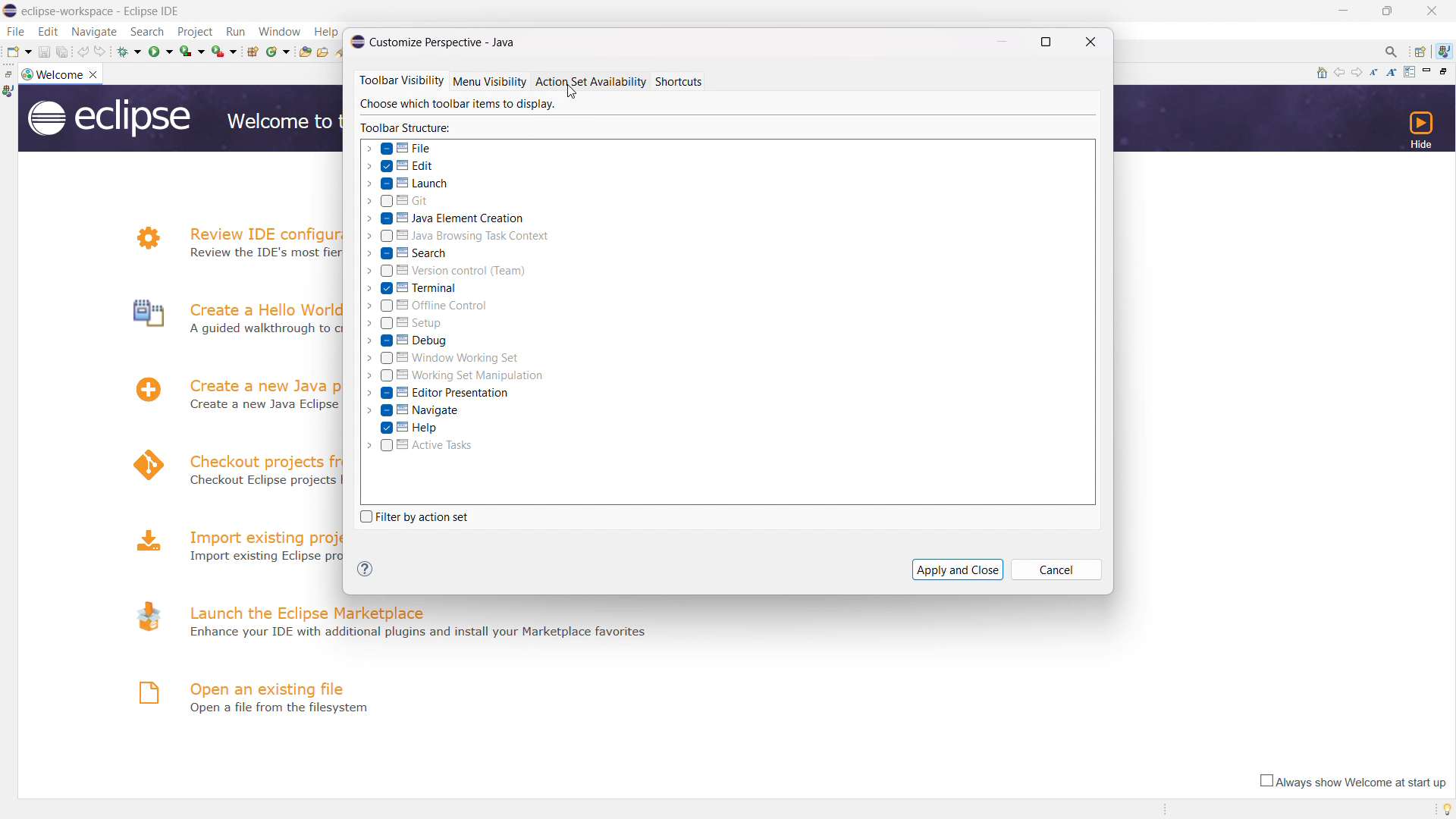  I want to click on new, so click(18, 52).